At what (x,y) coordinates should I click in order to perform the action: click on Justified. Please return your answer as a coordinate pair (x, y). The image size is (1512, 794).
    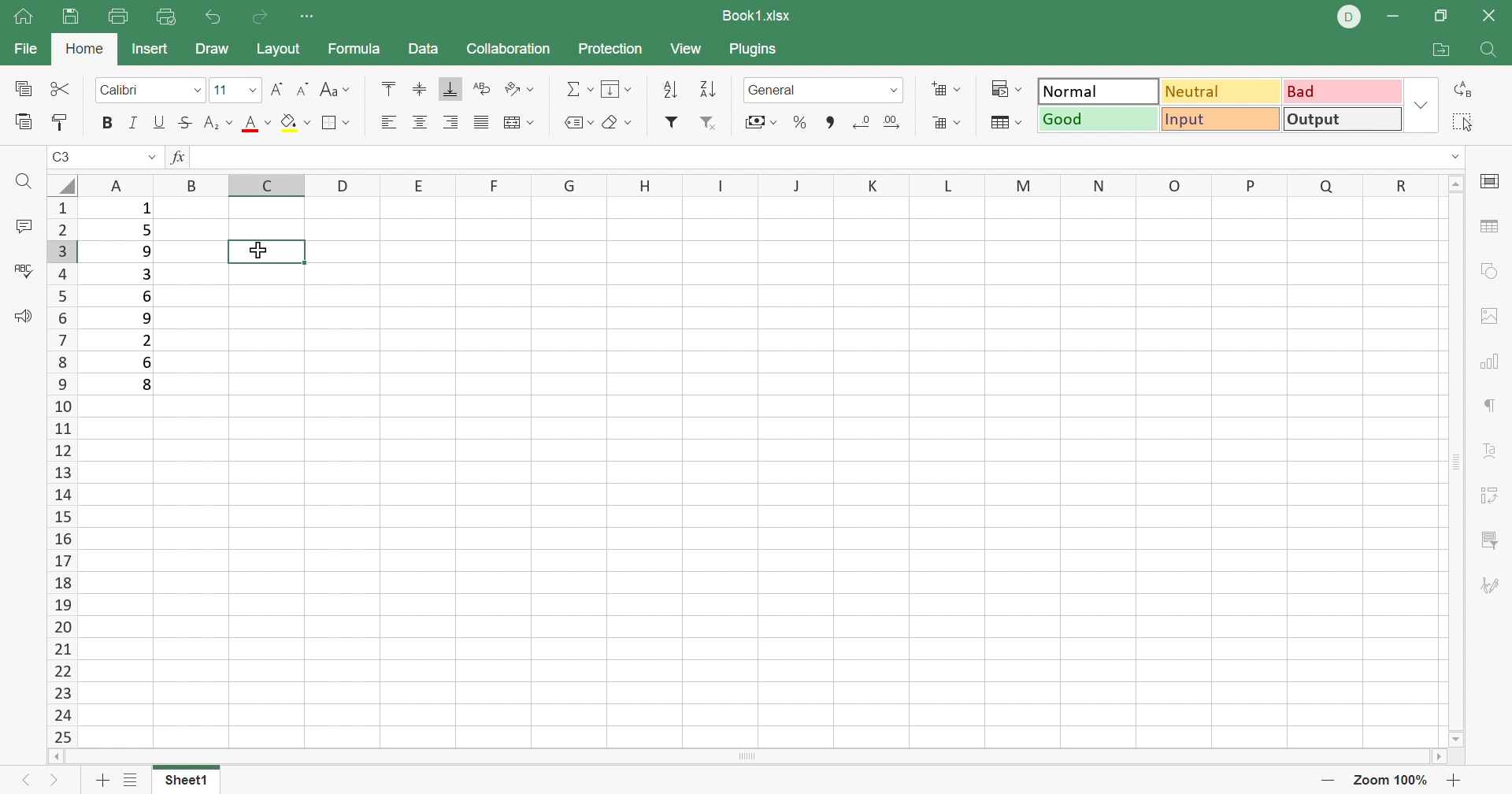
    Looking at the image, I should click on (481, 125).